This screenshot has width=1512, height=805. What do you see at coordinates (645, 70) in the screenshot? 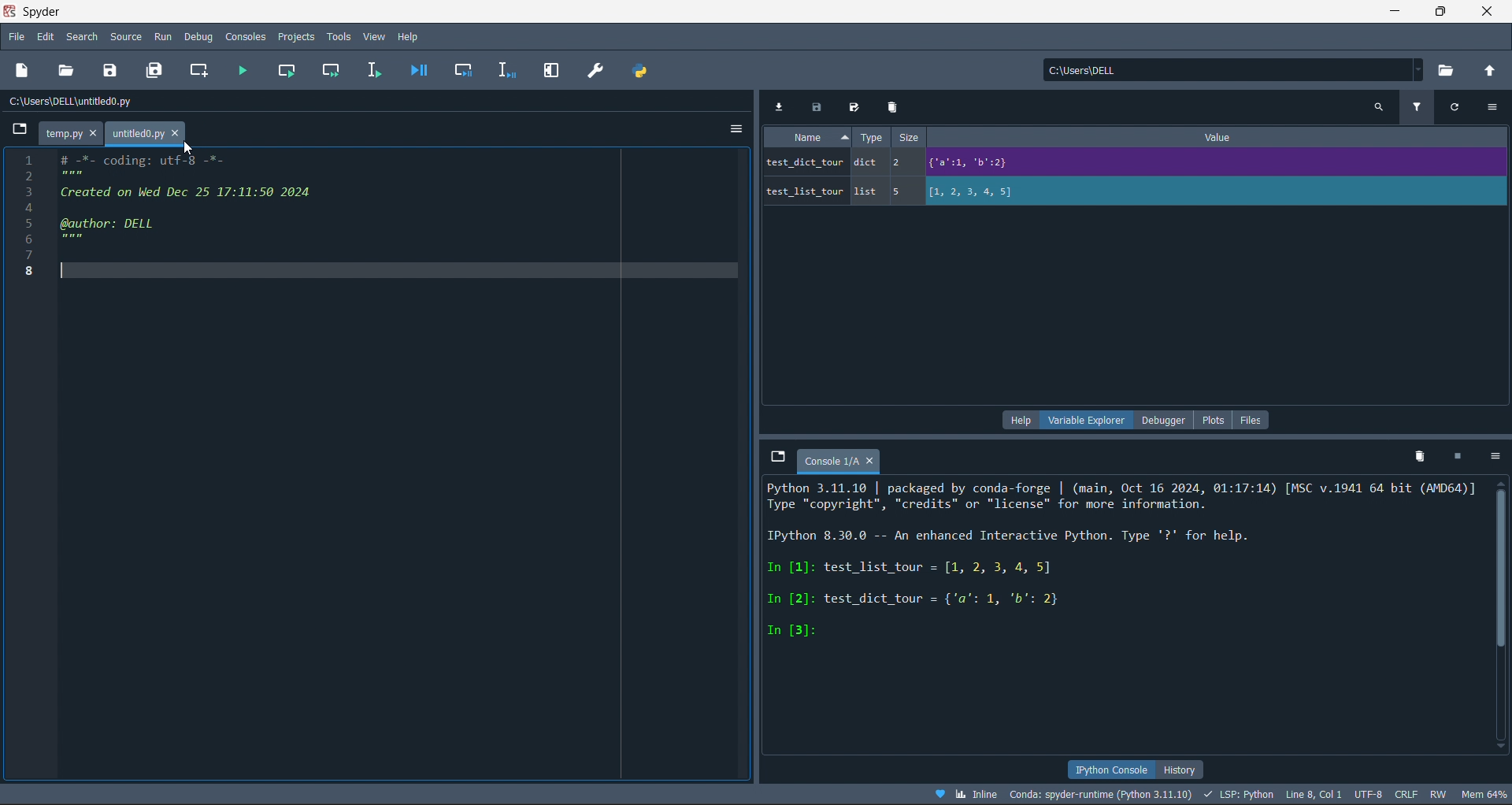
I see `path manager` at bounding box center [645, 70].